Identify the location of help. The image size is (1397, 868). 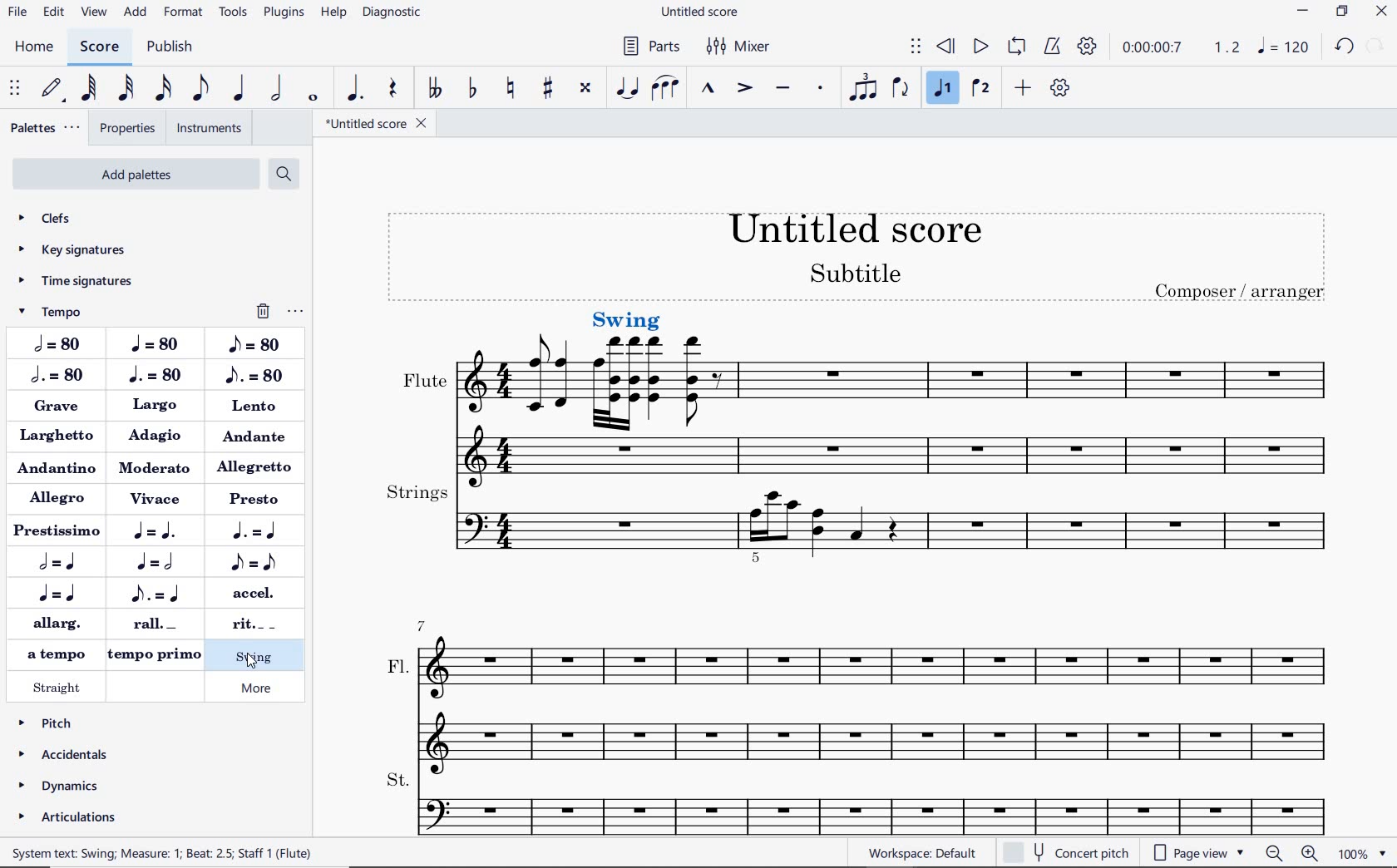
(333, 14).